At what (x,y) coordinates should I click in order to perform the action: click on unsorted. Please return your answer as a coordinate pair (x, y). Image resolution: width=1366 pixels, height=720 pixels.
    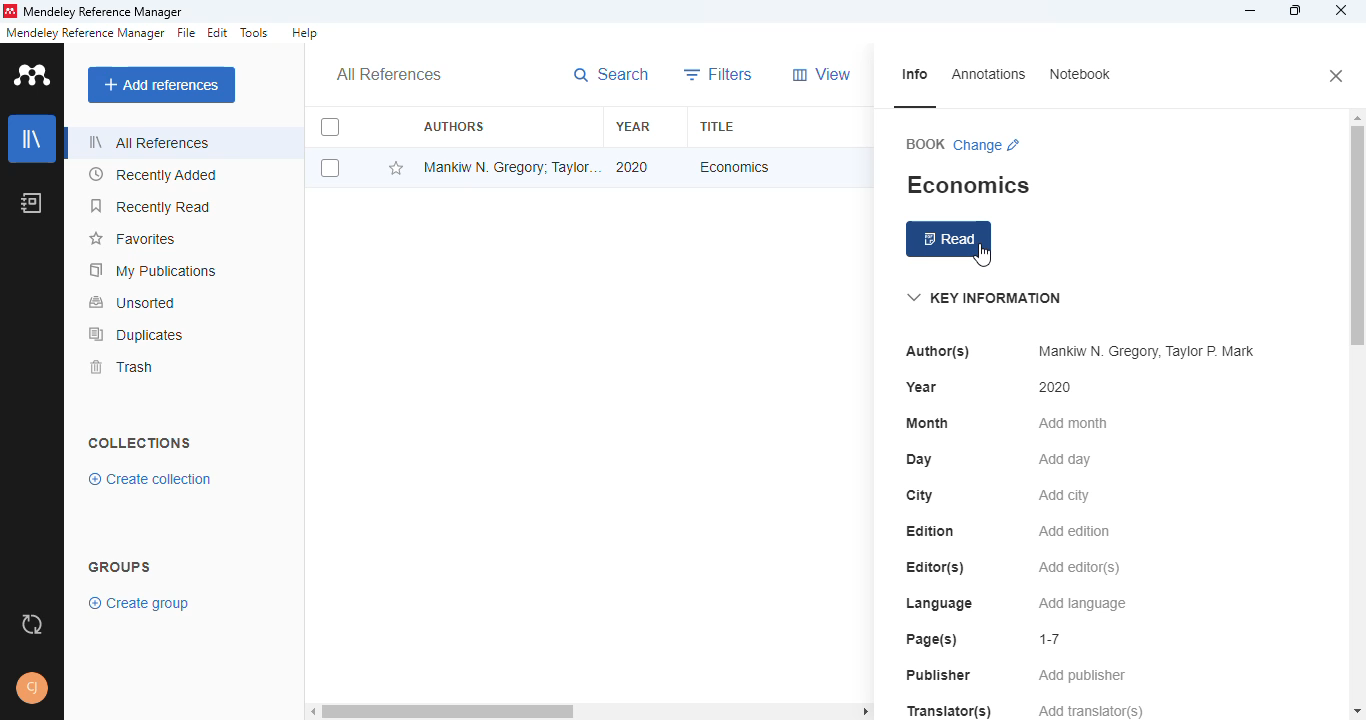
    Looking at the image, I should click on (132, 302).